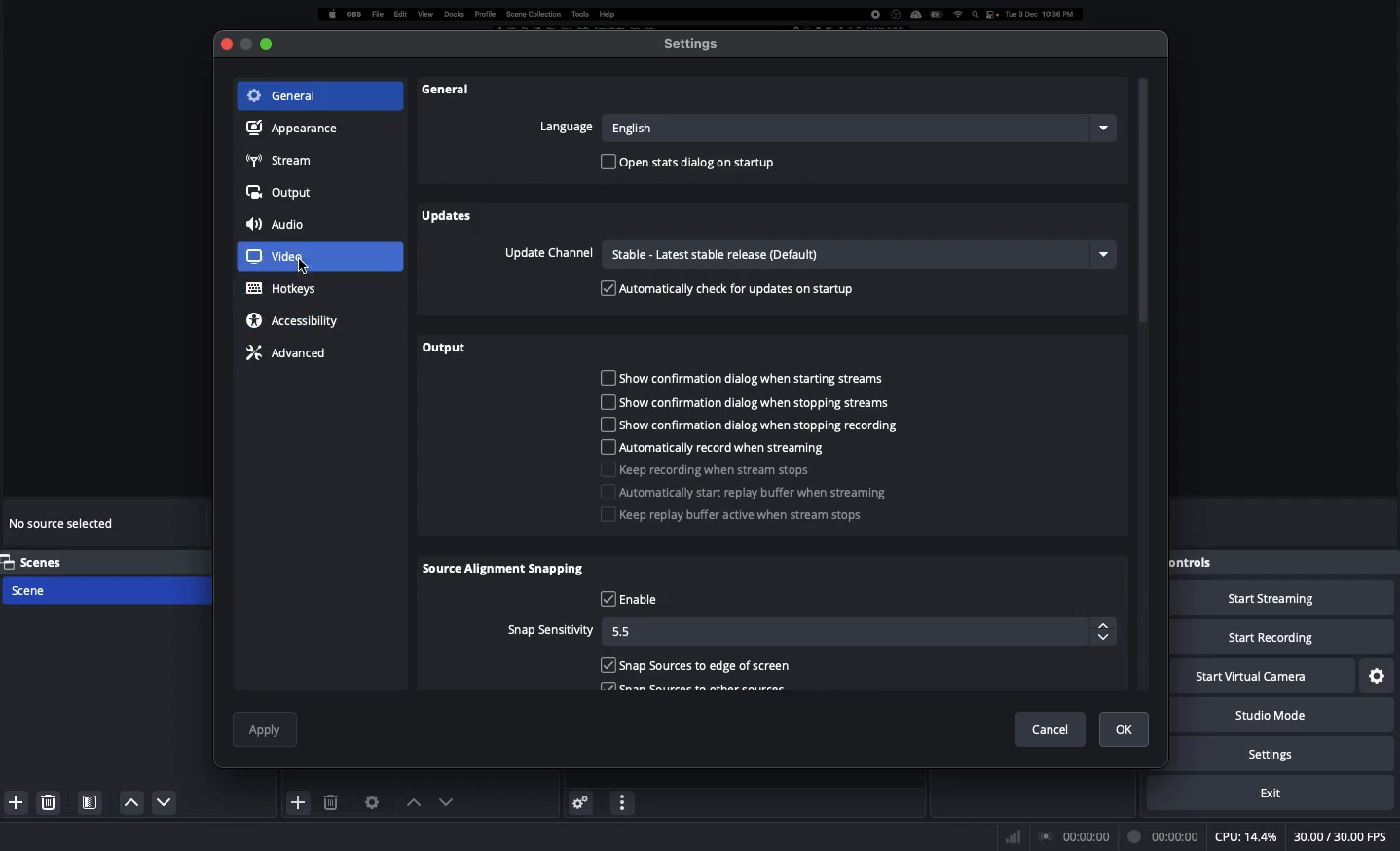 The width and height of the screenshot is (1400, 851). I want to click on Video, so click(317, 257).